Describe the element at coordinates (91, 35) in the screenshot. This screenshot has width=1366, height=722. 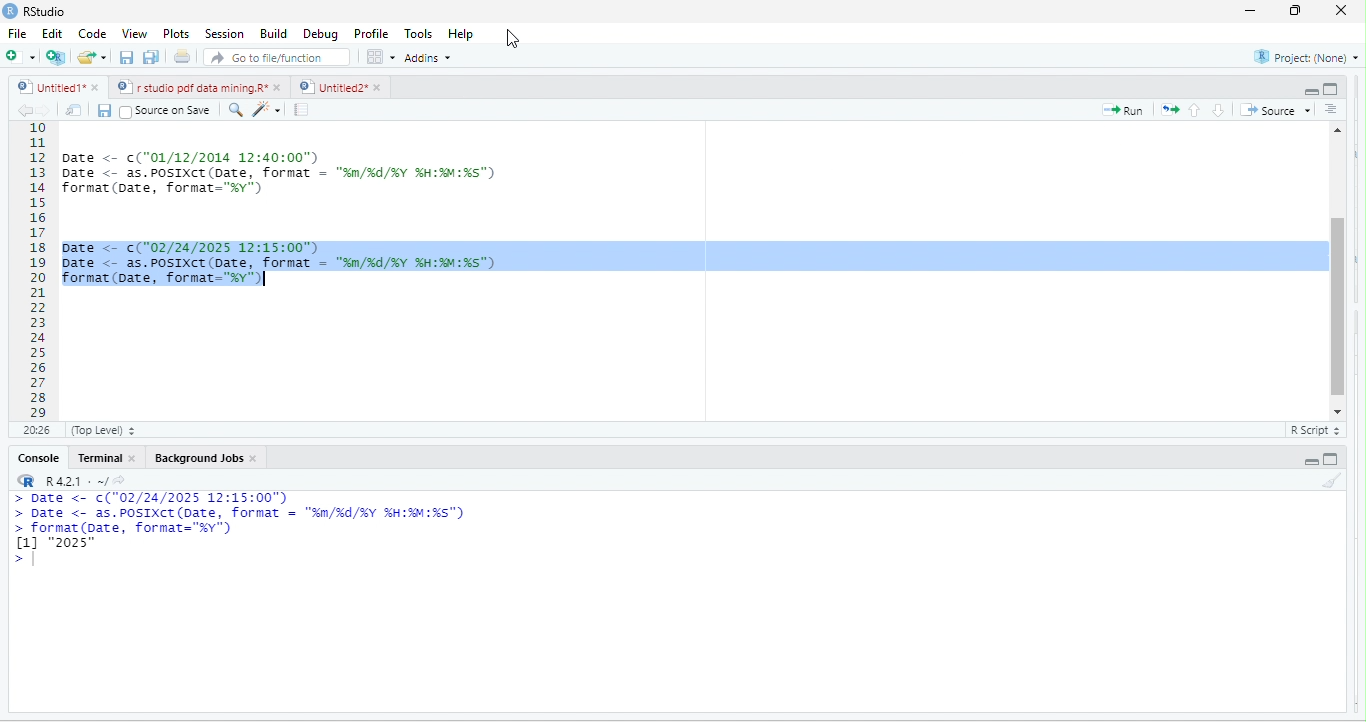
I see `Code` at that location.